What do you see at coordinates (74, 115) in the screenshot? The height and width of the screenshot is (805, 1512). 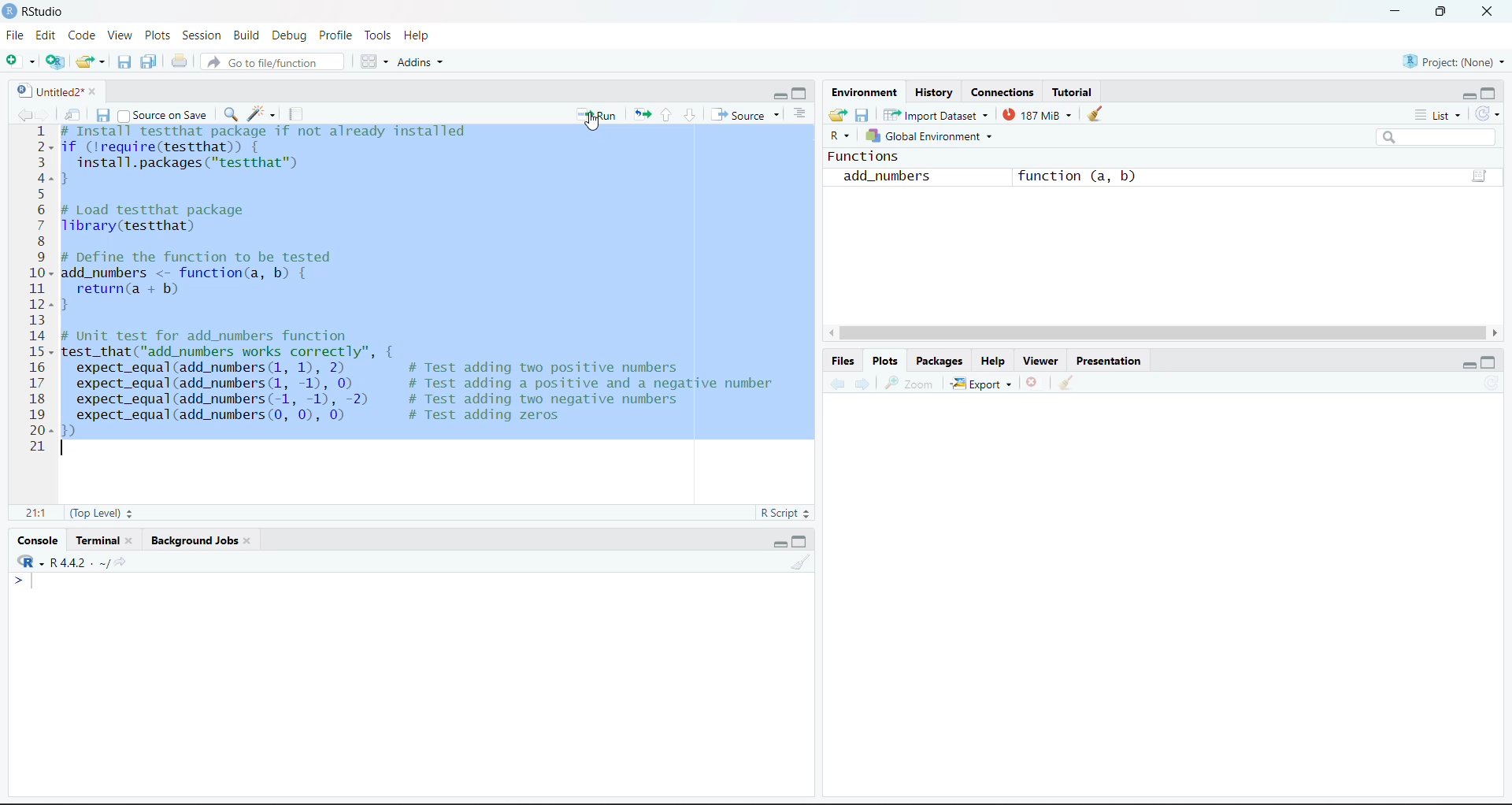 I see `show in new window` at bounding box center [74, 115].